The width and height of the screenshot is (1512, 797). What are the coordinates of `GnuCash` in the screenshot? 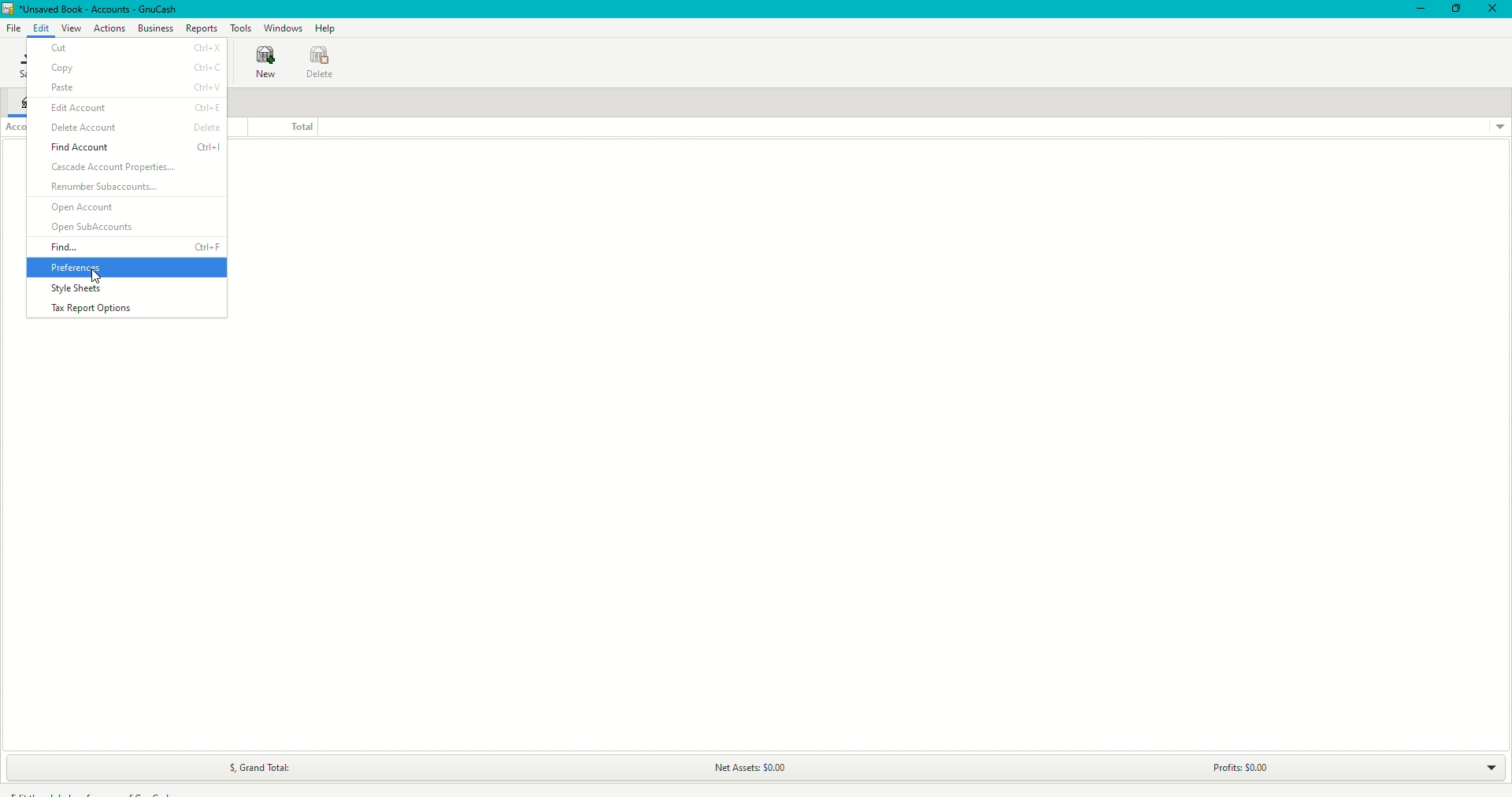 It's located at (90, 9).